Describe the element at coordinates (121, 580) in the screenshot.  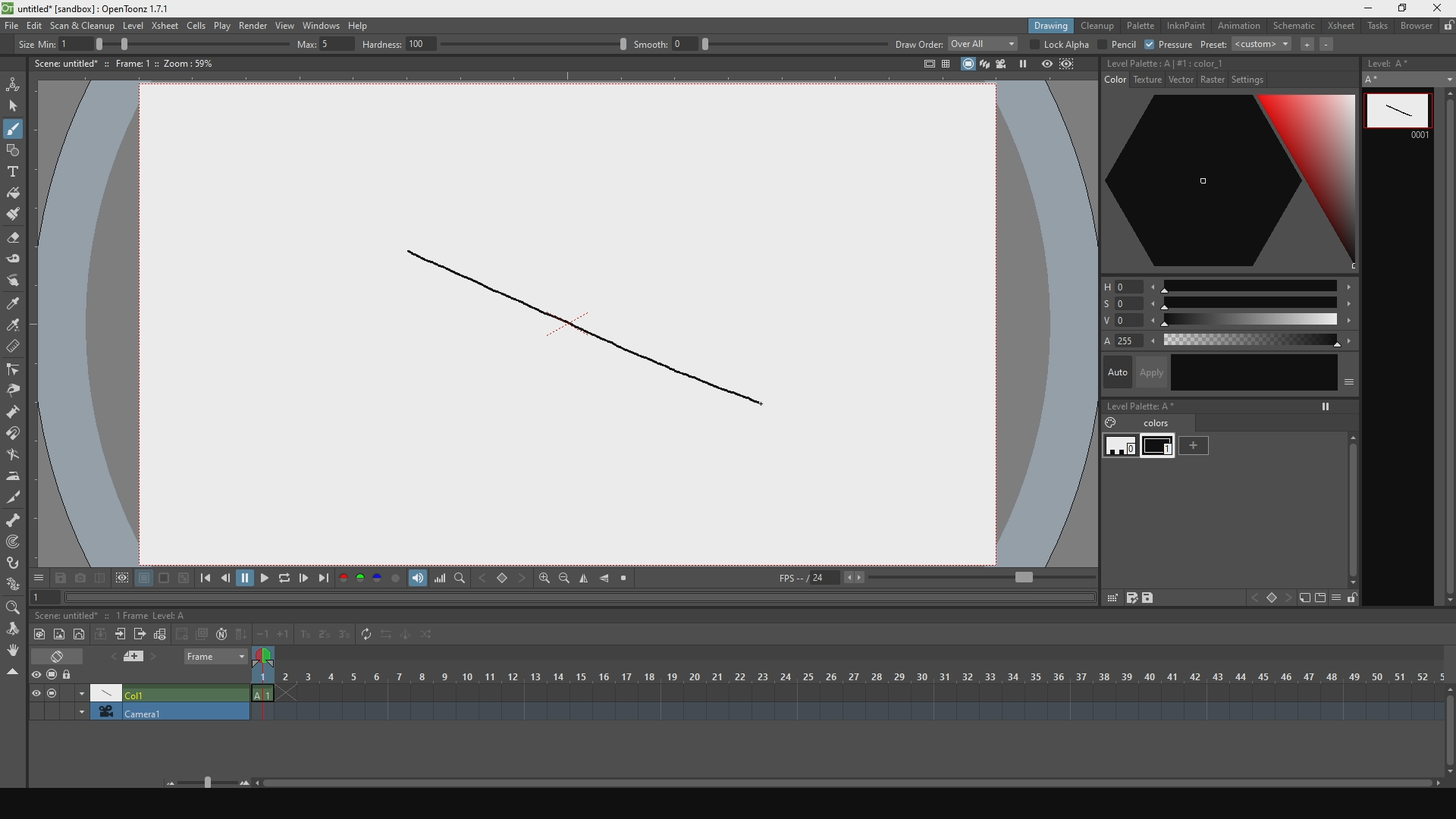
I see `define region` at that location.